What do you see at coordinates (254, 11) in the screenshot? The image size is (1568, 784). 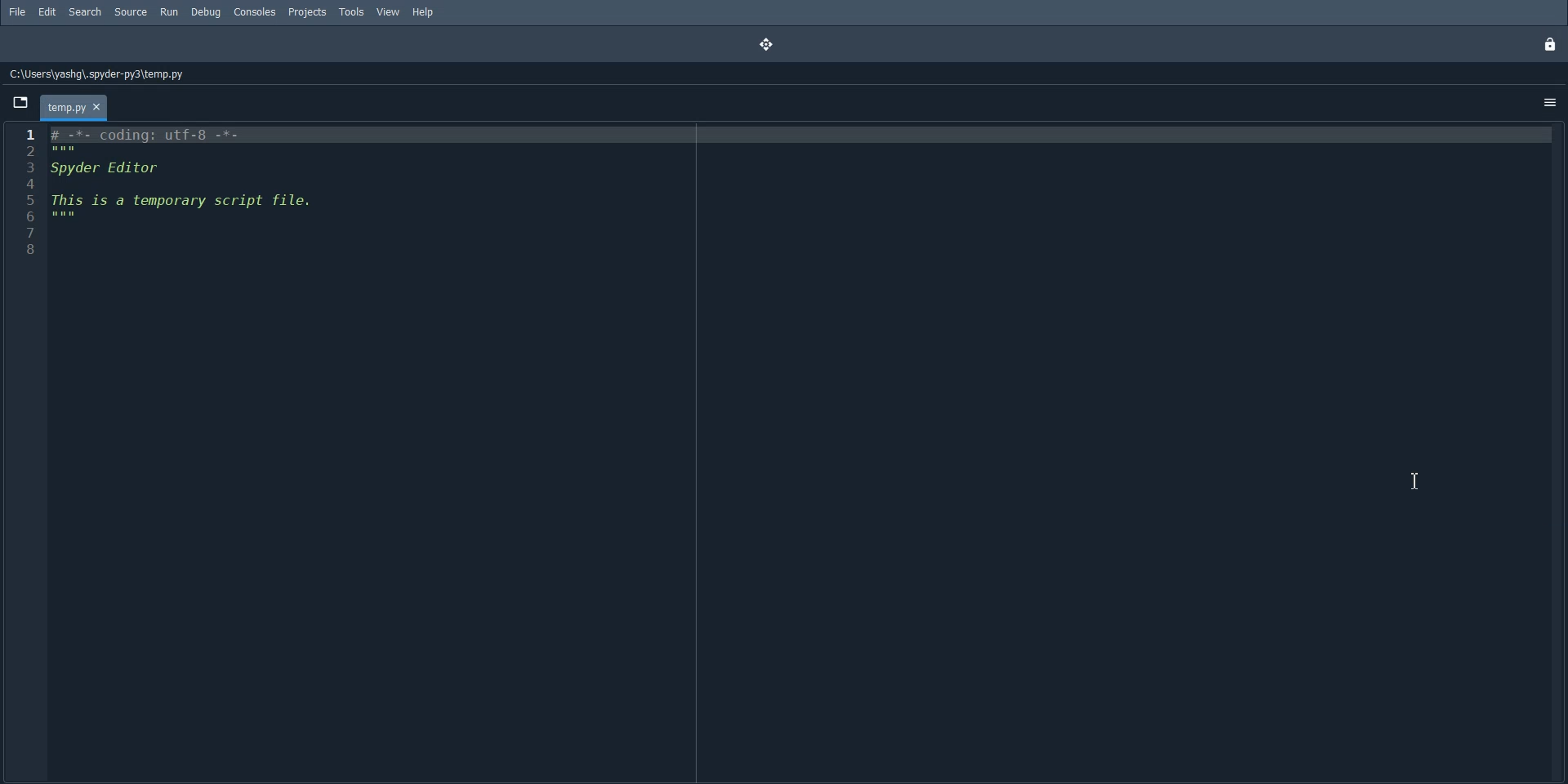 I see `Consoles` at bounding box center [254, 11].